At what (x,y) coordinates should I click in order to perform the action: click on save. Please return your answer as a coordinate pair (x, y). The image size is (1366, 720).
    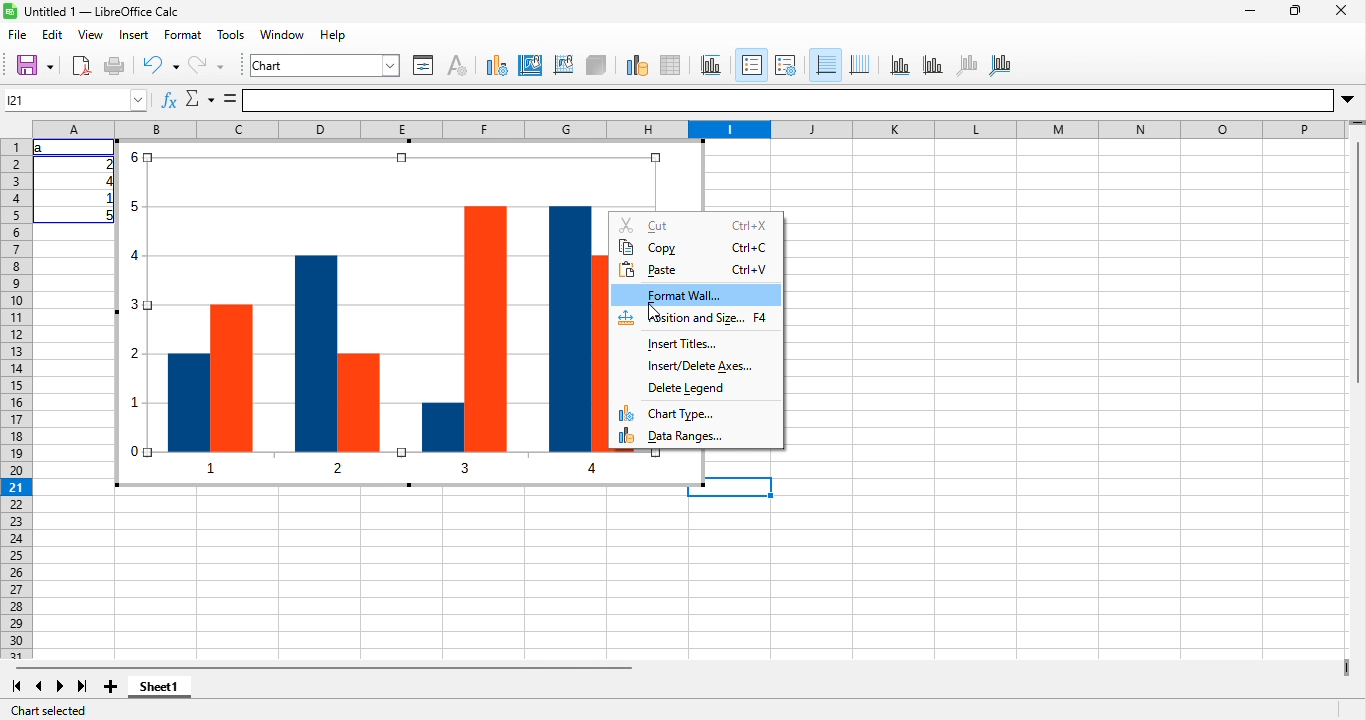
    Looking at the image, I should click on (34, 66).